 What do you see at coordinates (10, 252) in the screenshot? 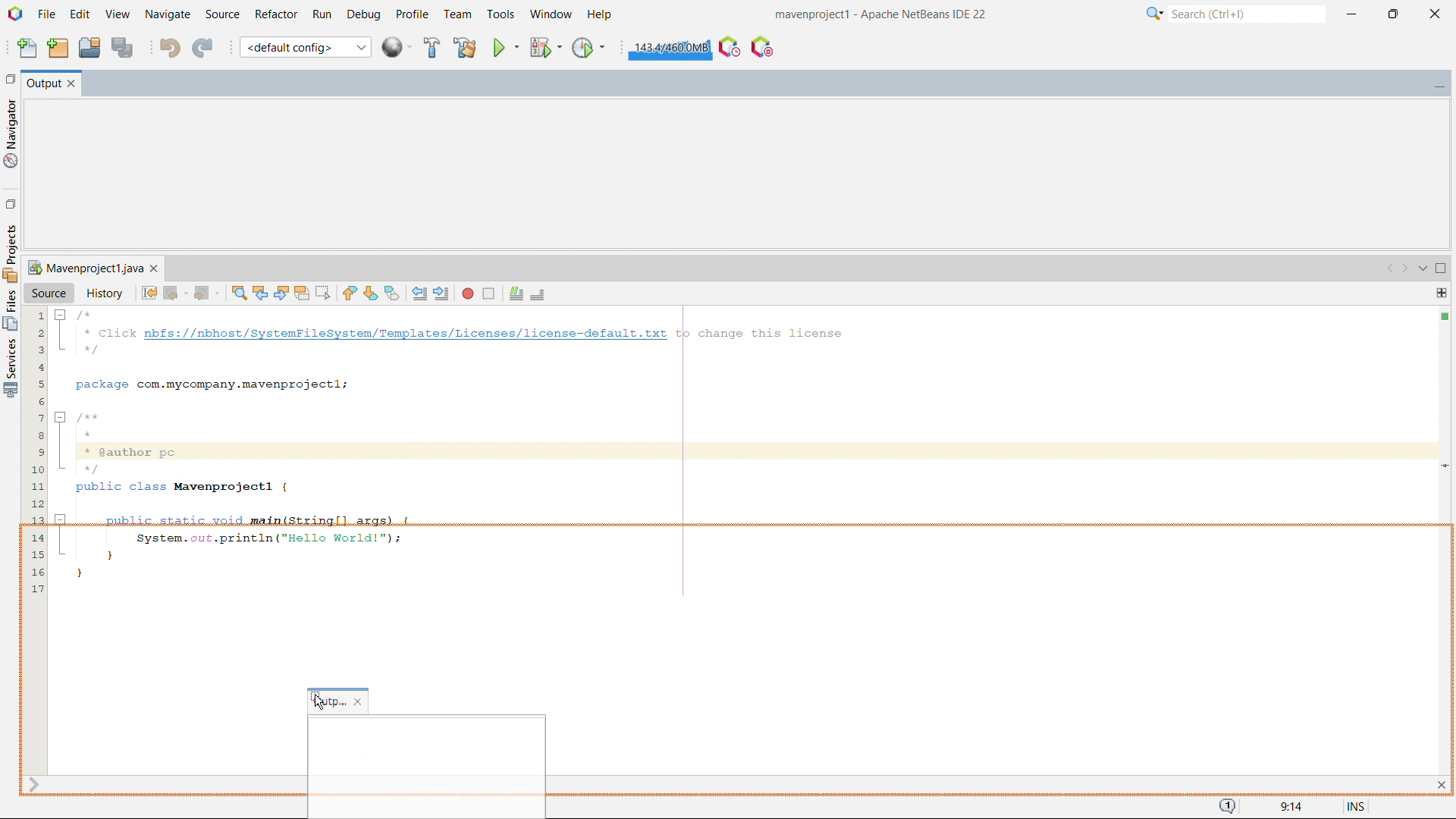
I see `services` at bounding box center [10, 252].